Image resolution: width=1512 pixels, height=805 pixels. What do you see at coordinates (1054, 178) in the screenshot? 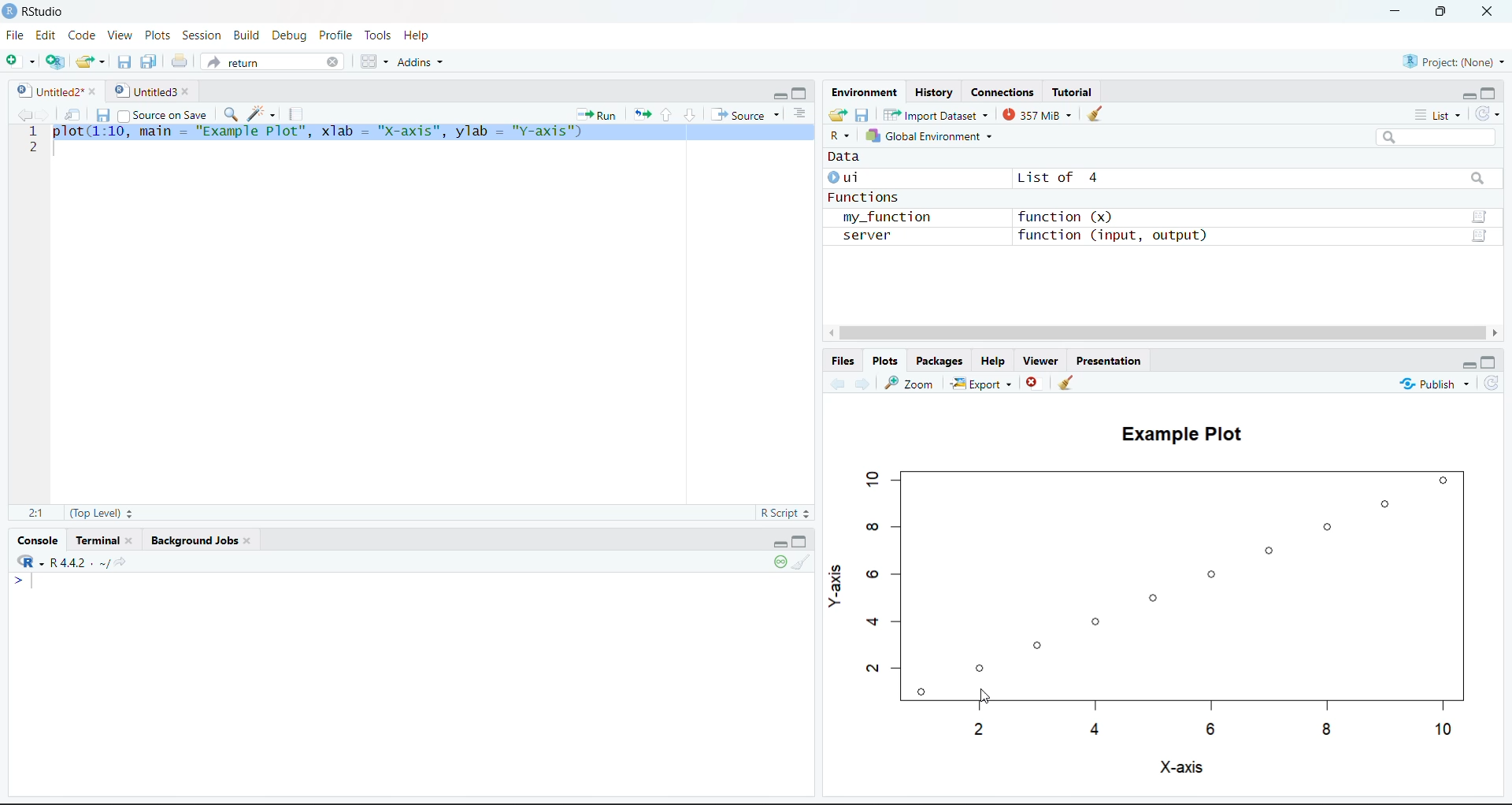
I see `List of 4` at bounding box center [1054, 178].